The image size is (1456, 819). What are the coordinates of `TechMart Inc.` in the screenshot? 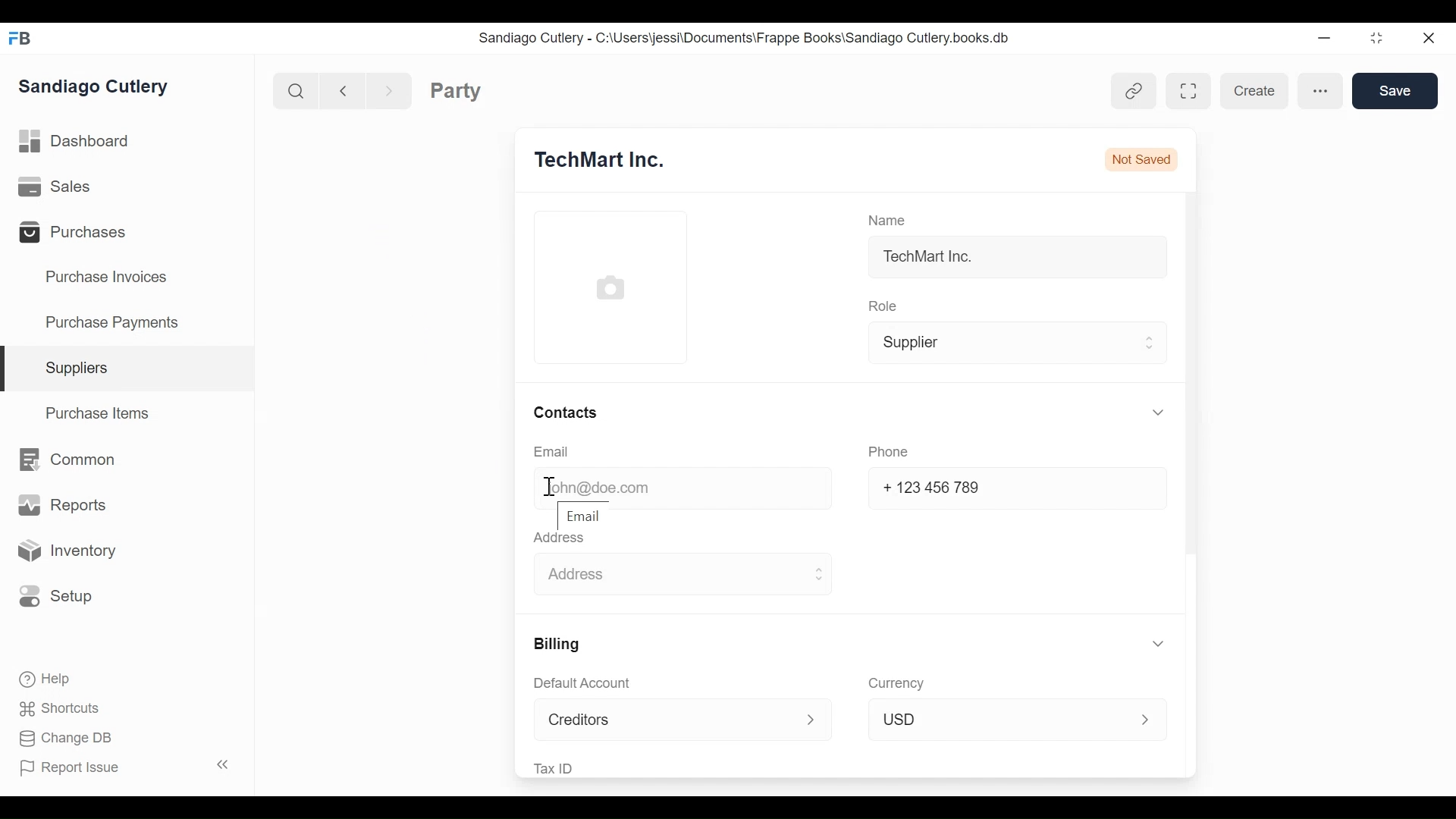 It's located at (616, 159).